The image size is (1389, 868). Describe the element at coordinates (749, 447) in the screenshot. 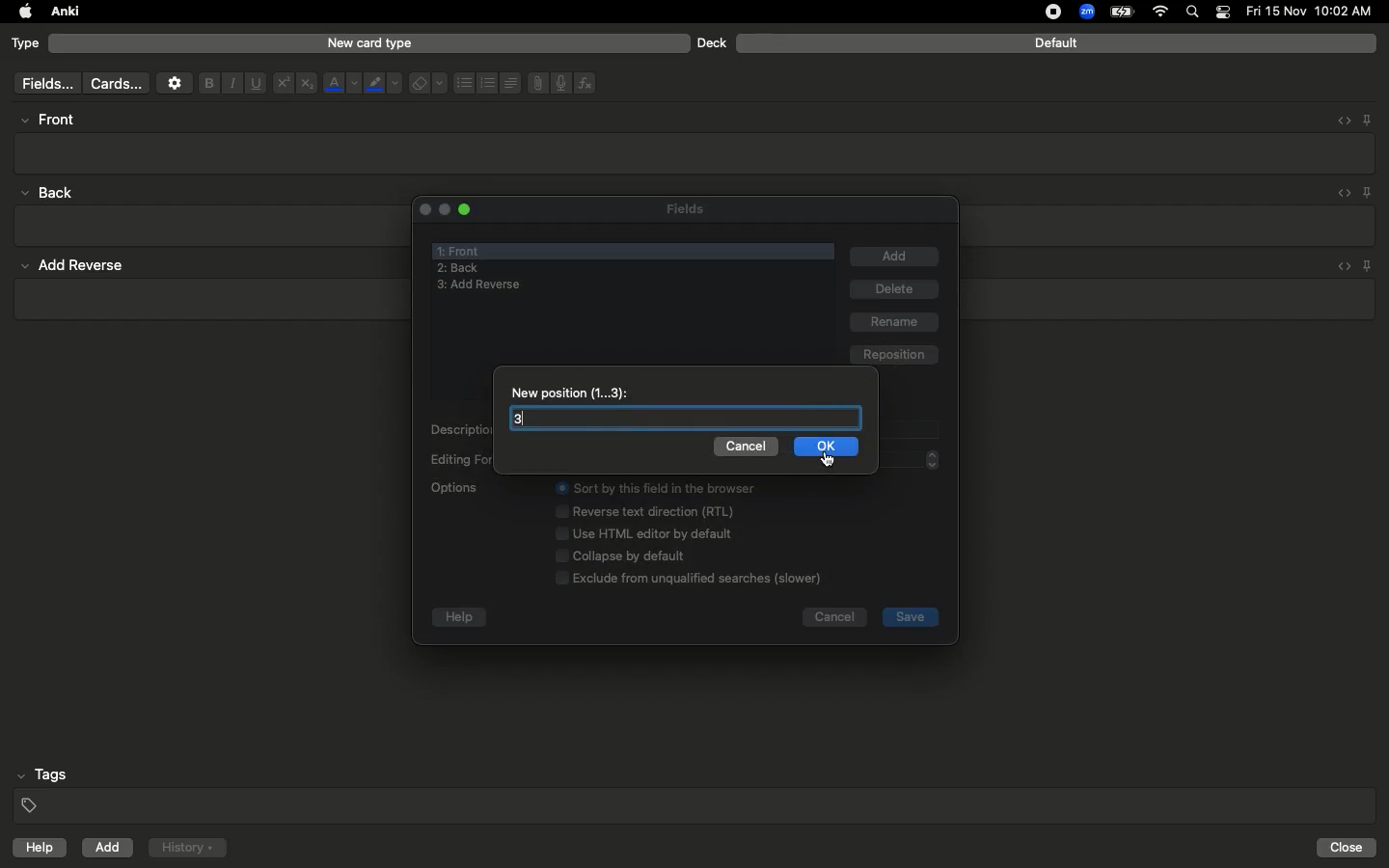

I see `Cancel` at that location.